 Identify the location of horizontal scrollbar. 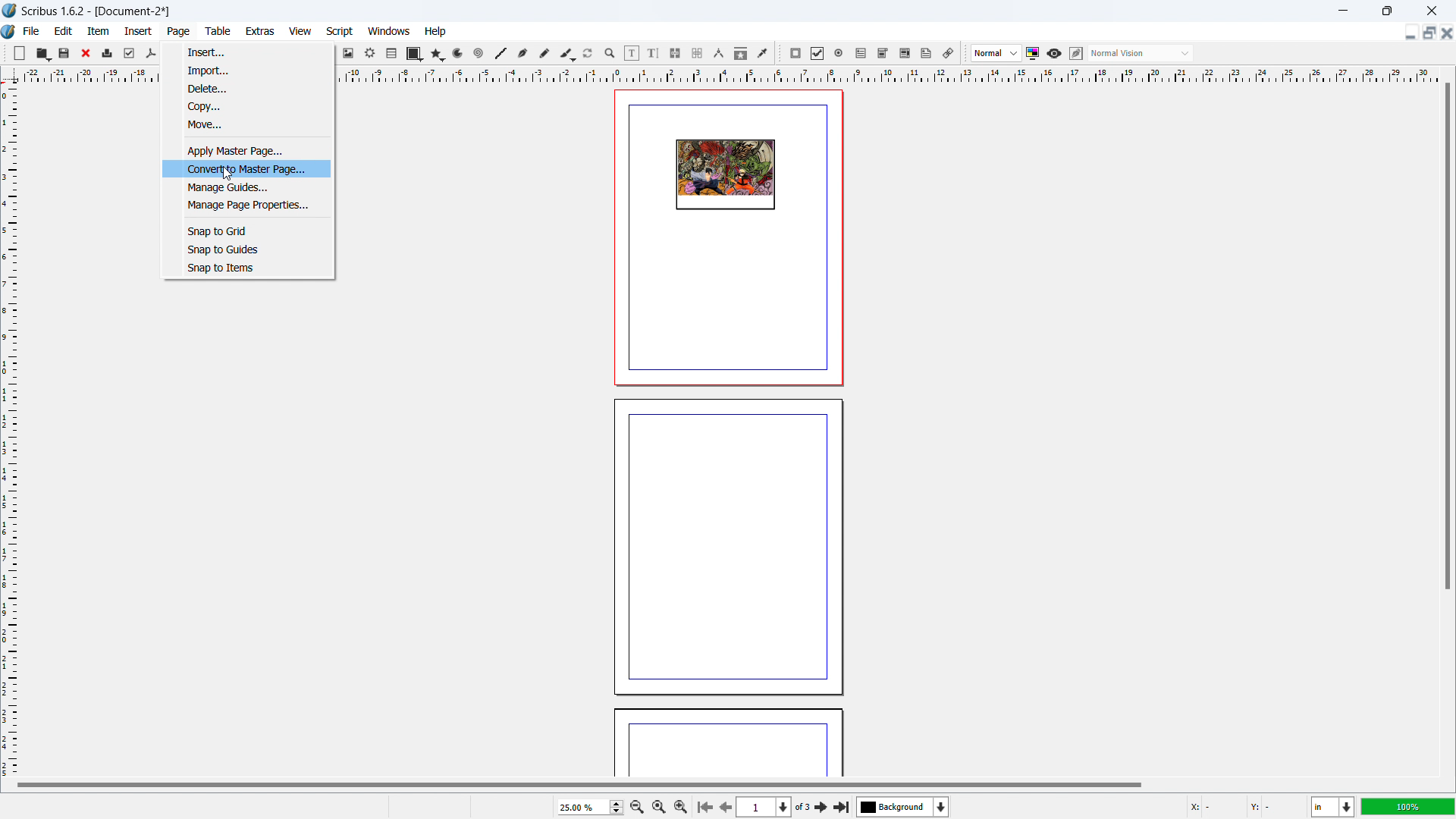
(579, 784).